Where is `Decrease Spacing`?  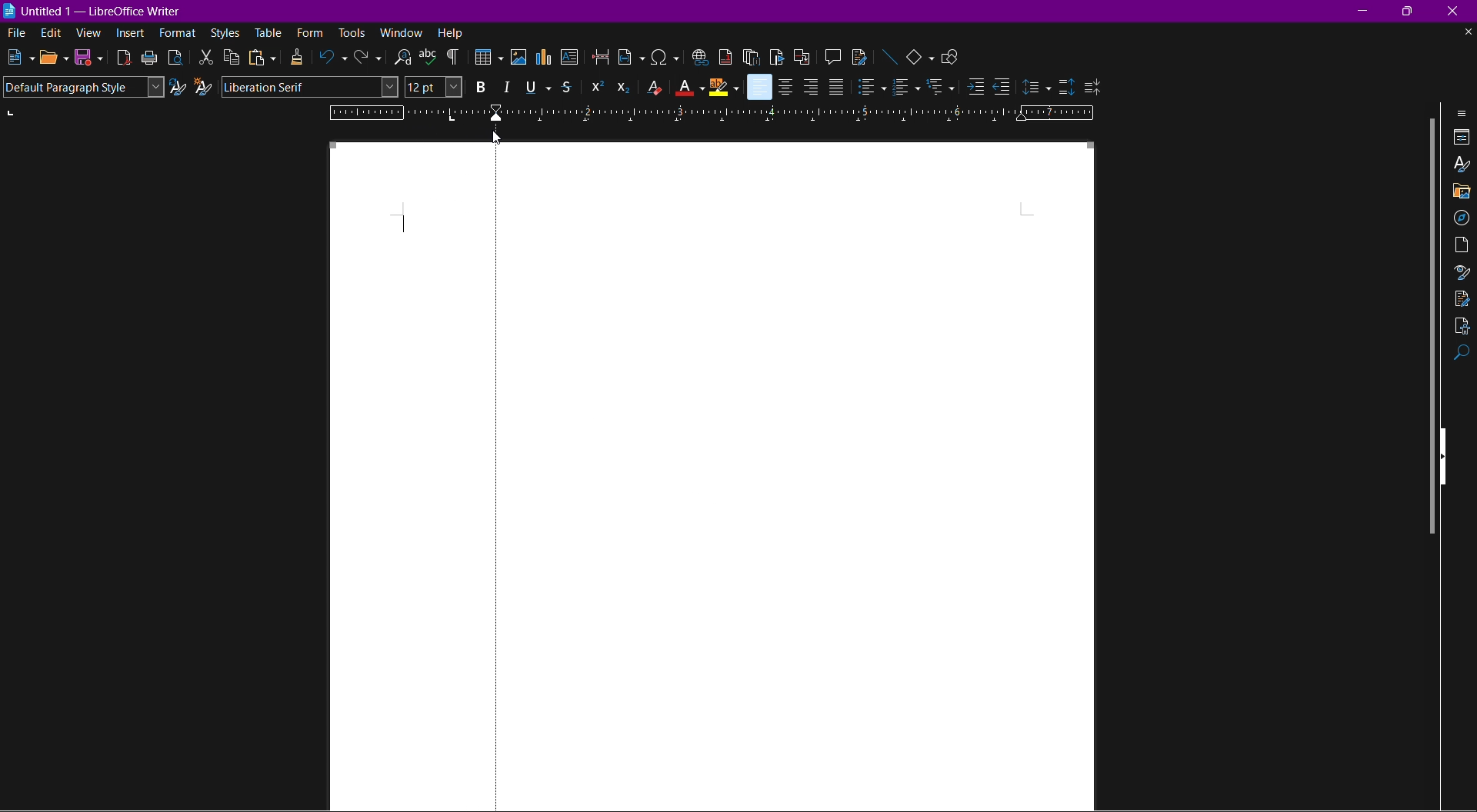
Decrease Spacing is located at coordinates (1092, 85).